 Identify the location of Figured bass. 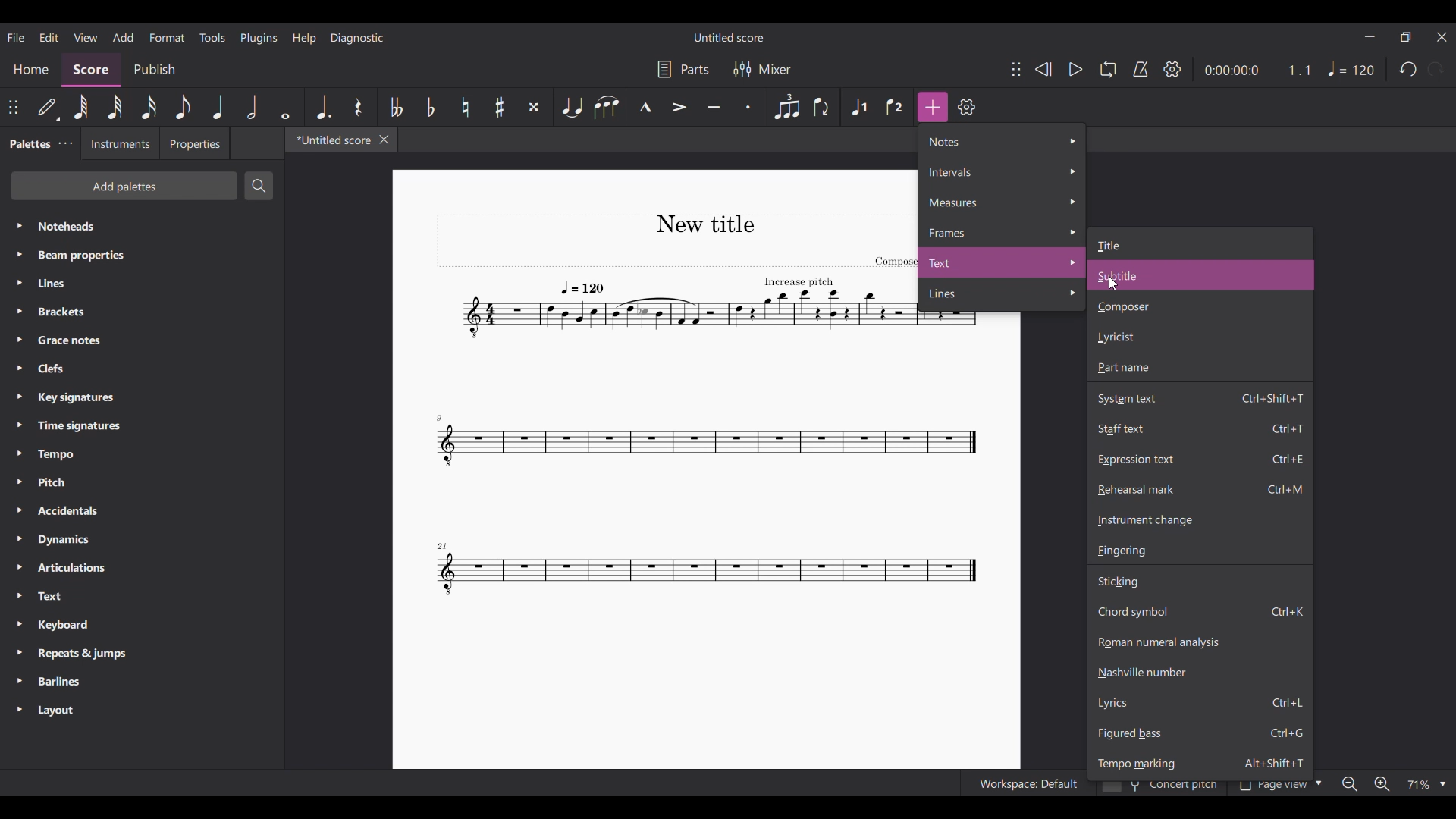
(1200, 733).